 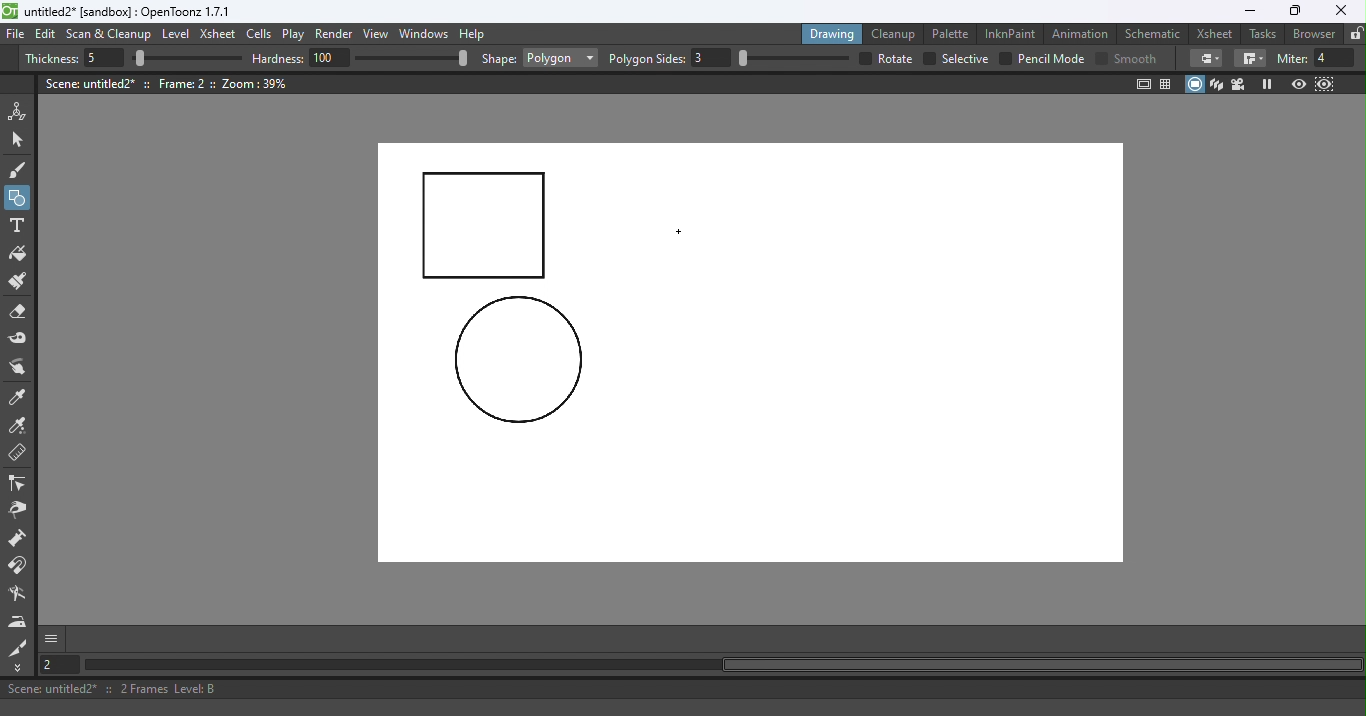 What do you see at coordinates (297, 35) in the screenshot?
I see `Play` at bounding box center [297, 35].